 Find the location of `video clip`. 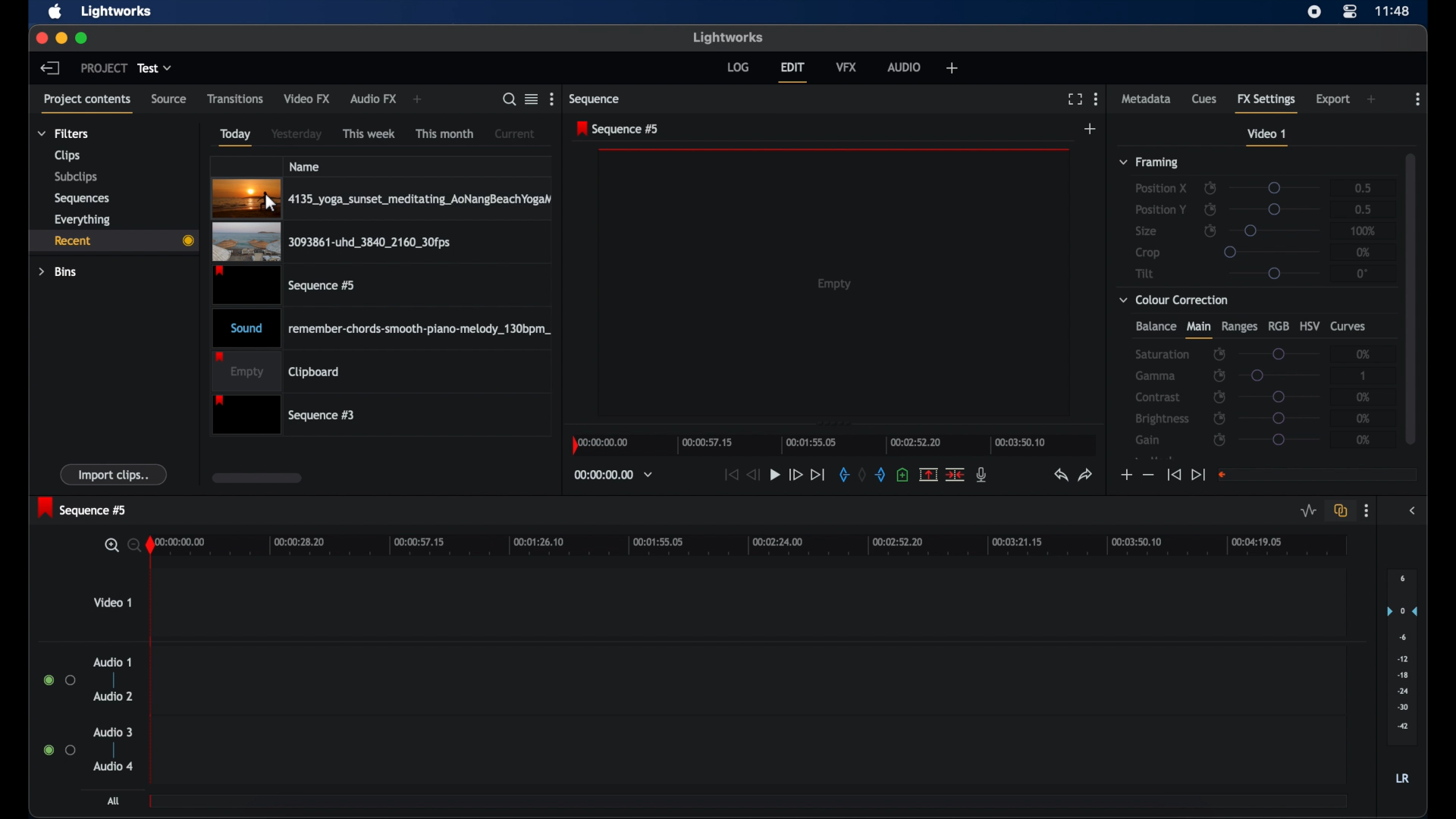

video clip is located at coordinates (381, 198).